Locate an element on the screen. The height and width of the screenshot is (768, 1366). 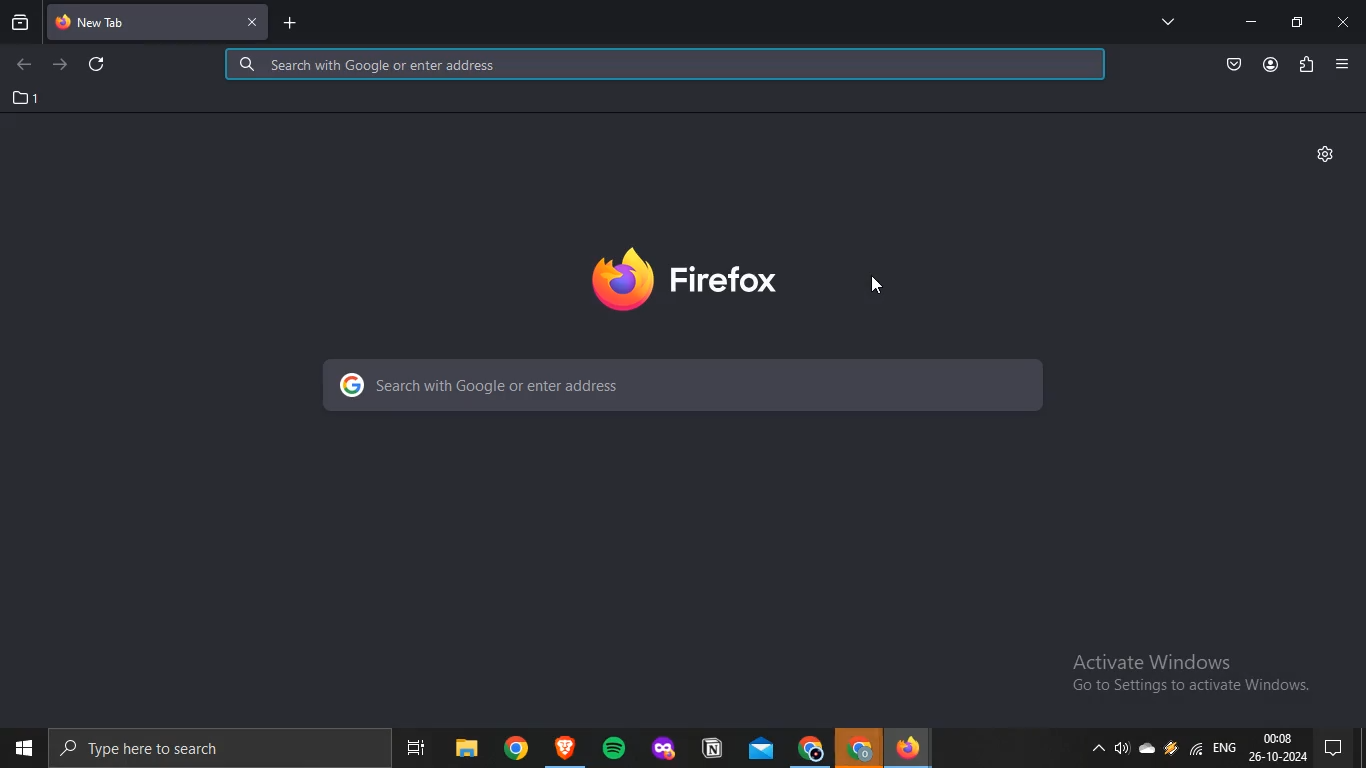
 is located at coordinates (1341, 64).